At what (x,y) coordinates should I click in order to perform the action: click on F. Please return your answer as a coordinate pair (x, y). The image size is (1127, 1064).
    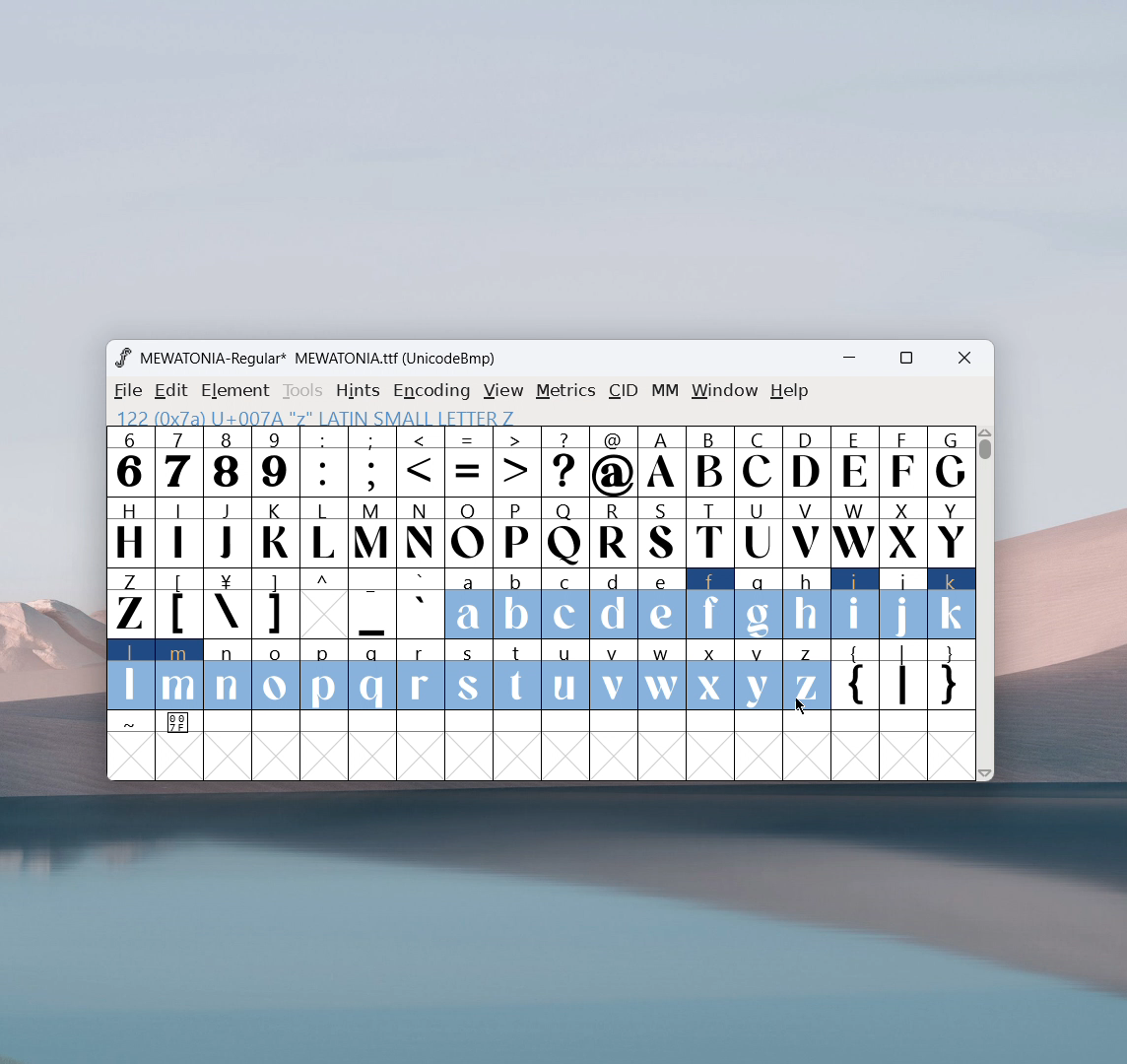
    Looking at the image, I should click on (901, 460).